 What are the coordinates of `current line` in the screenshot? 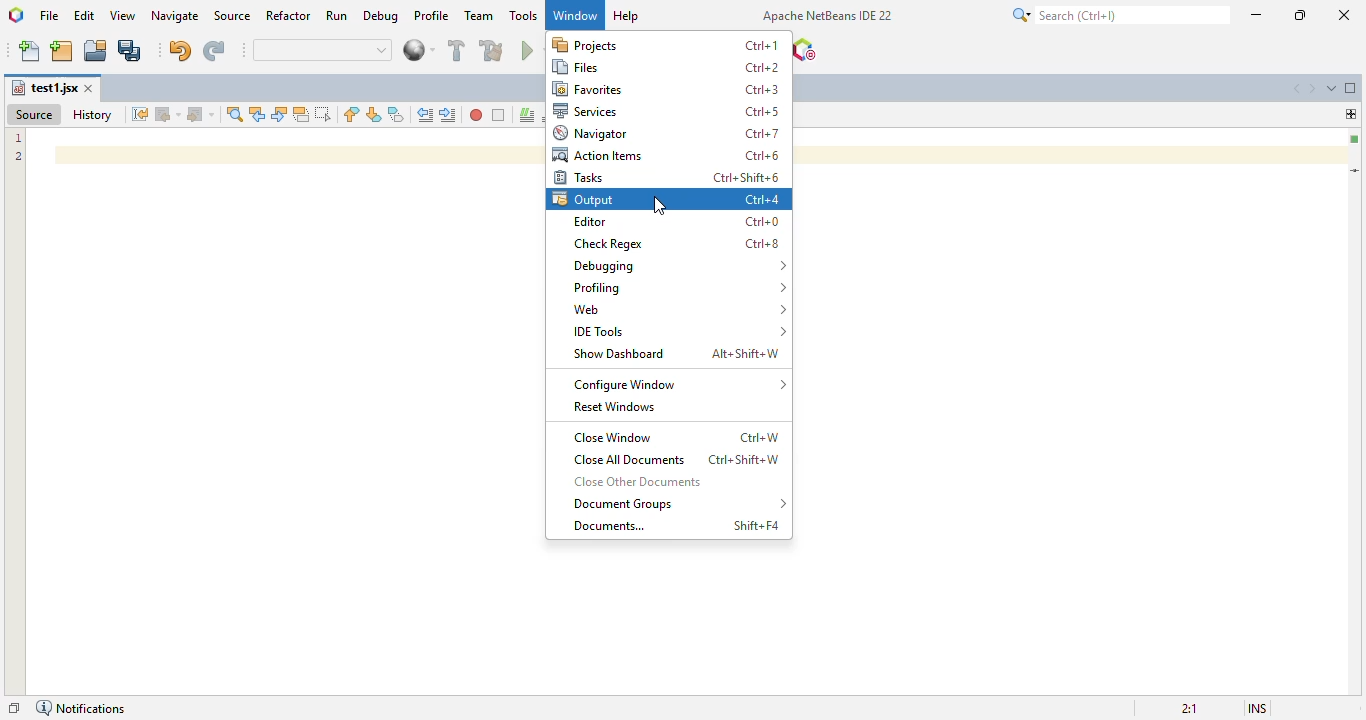 It's located at (1356, 170).